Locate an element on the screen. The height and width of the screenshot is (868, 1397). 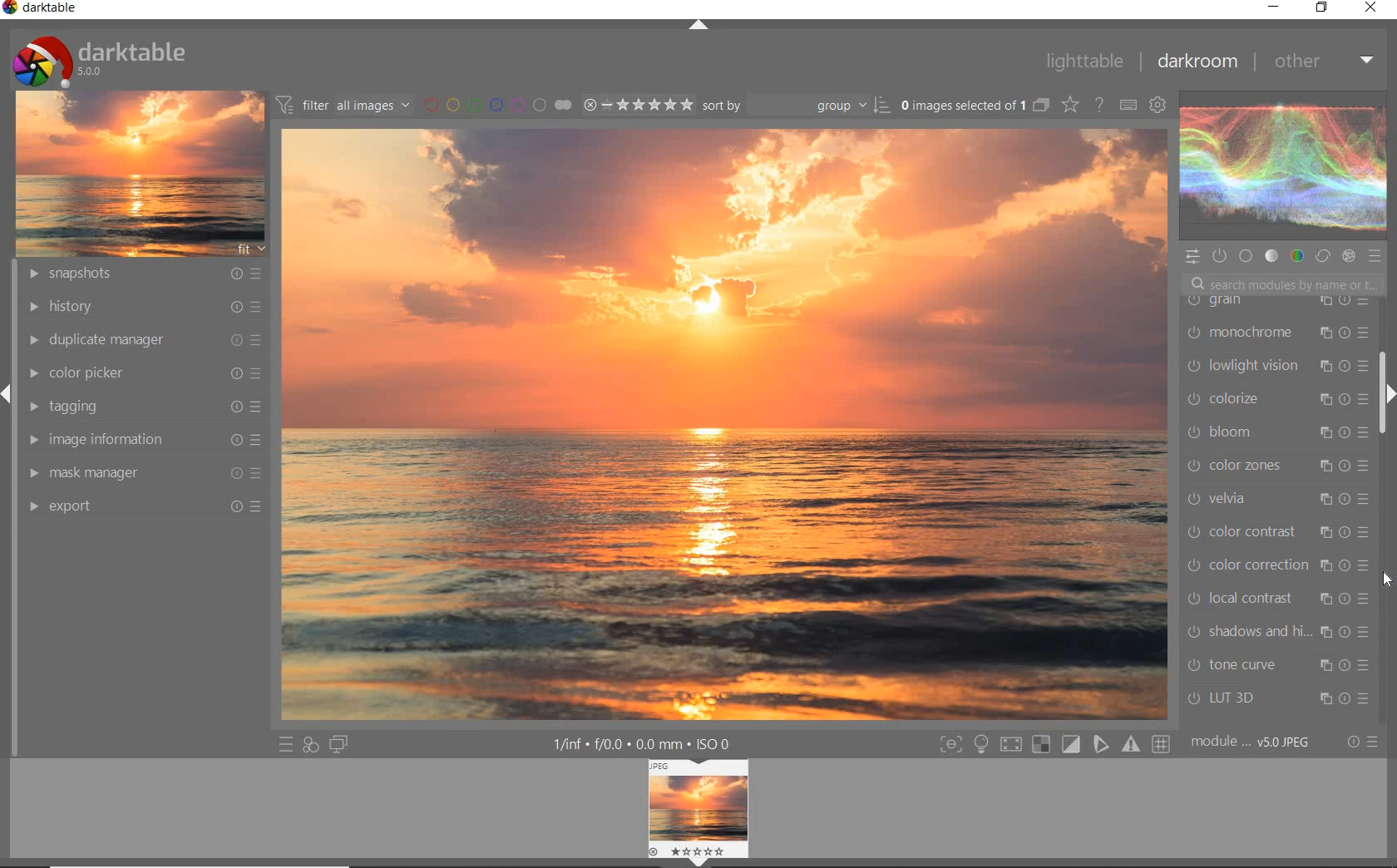
close is located at coordinates (1374, 9).